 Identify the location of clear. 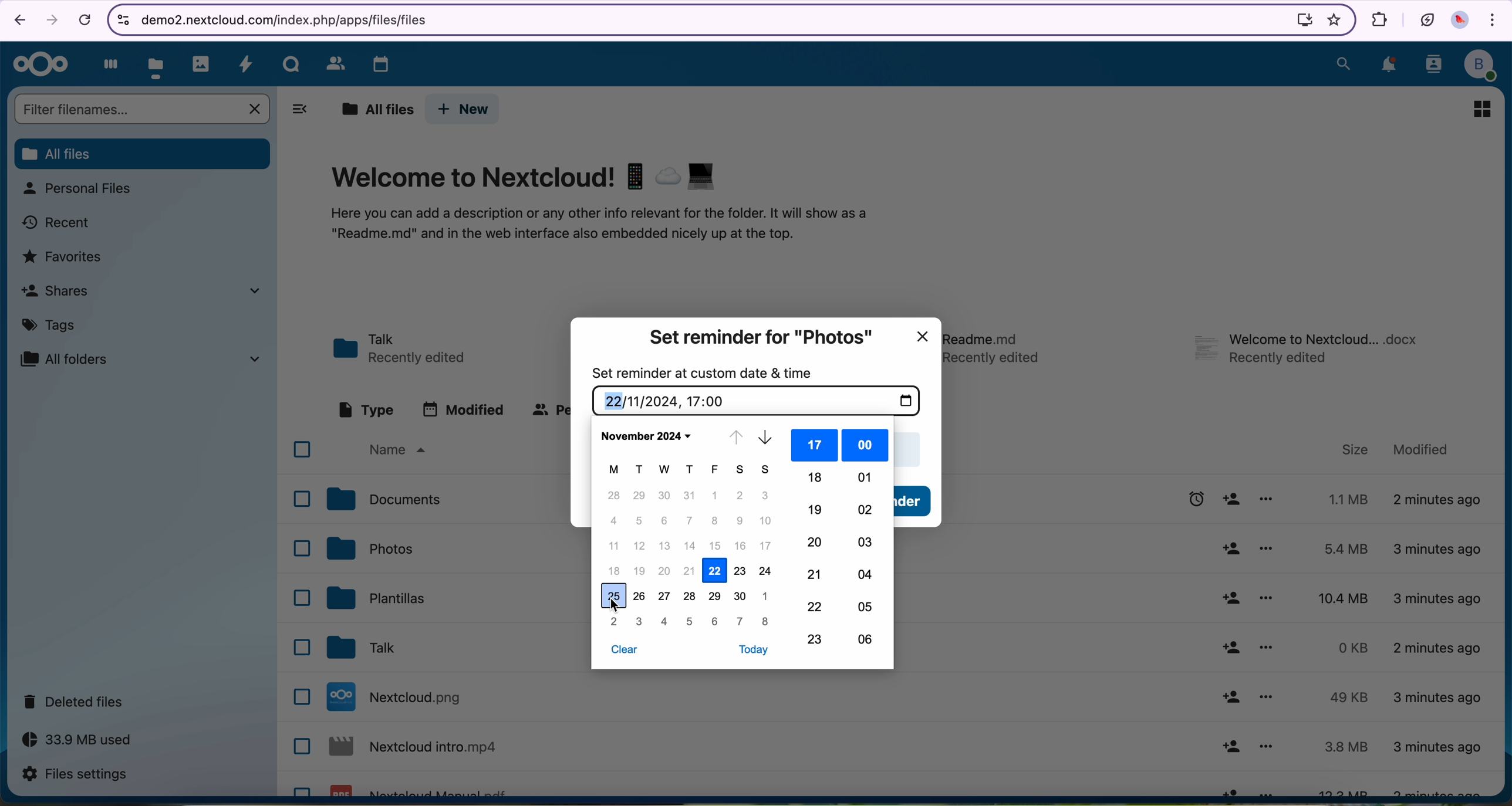
(623, 652).